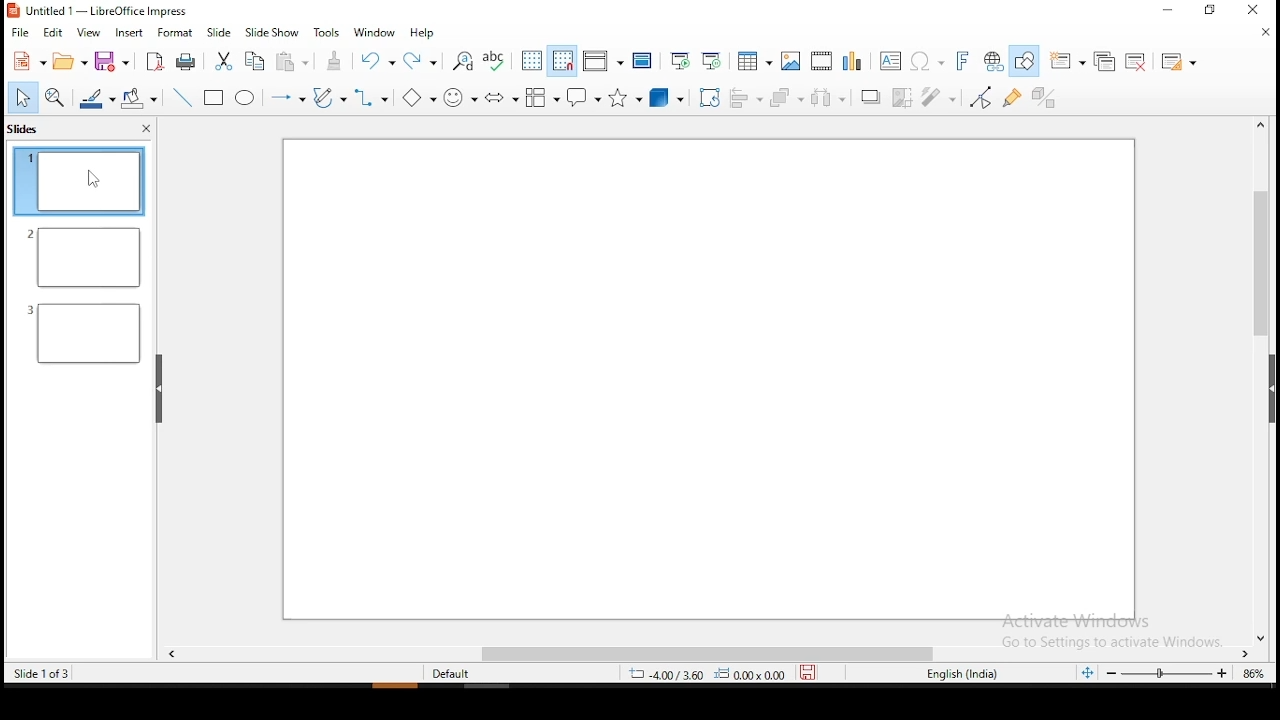 The image size is (1280, 720). I want to click on window, so click(376, 35).